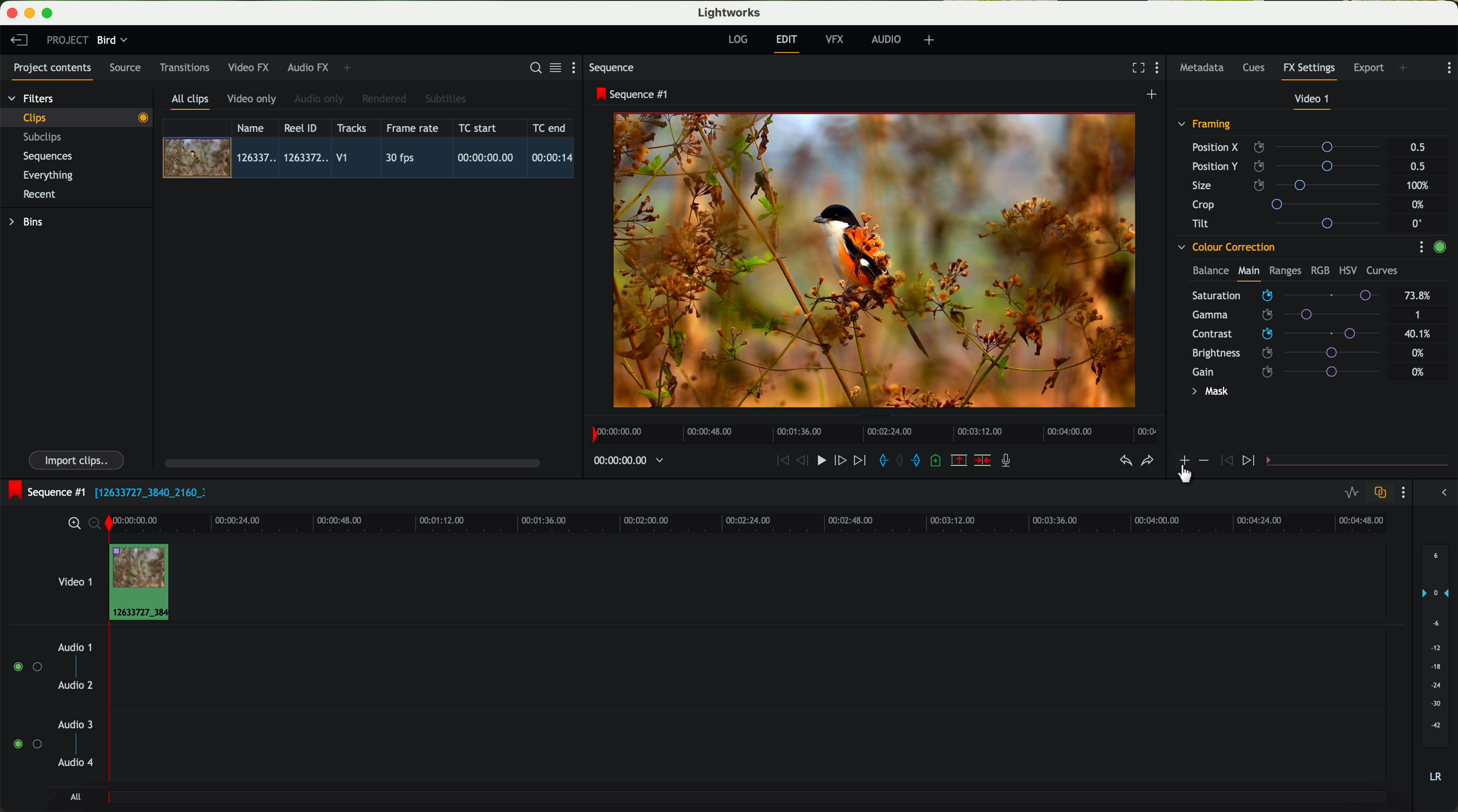 The width and height of the screenshot is (1458, 812). Describe the element at coordinates (837, 40) in the screenshot. I see `VFX` at that location.